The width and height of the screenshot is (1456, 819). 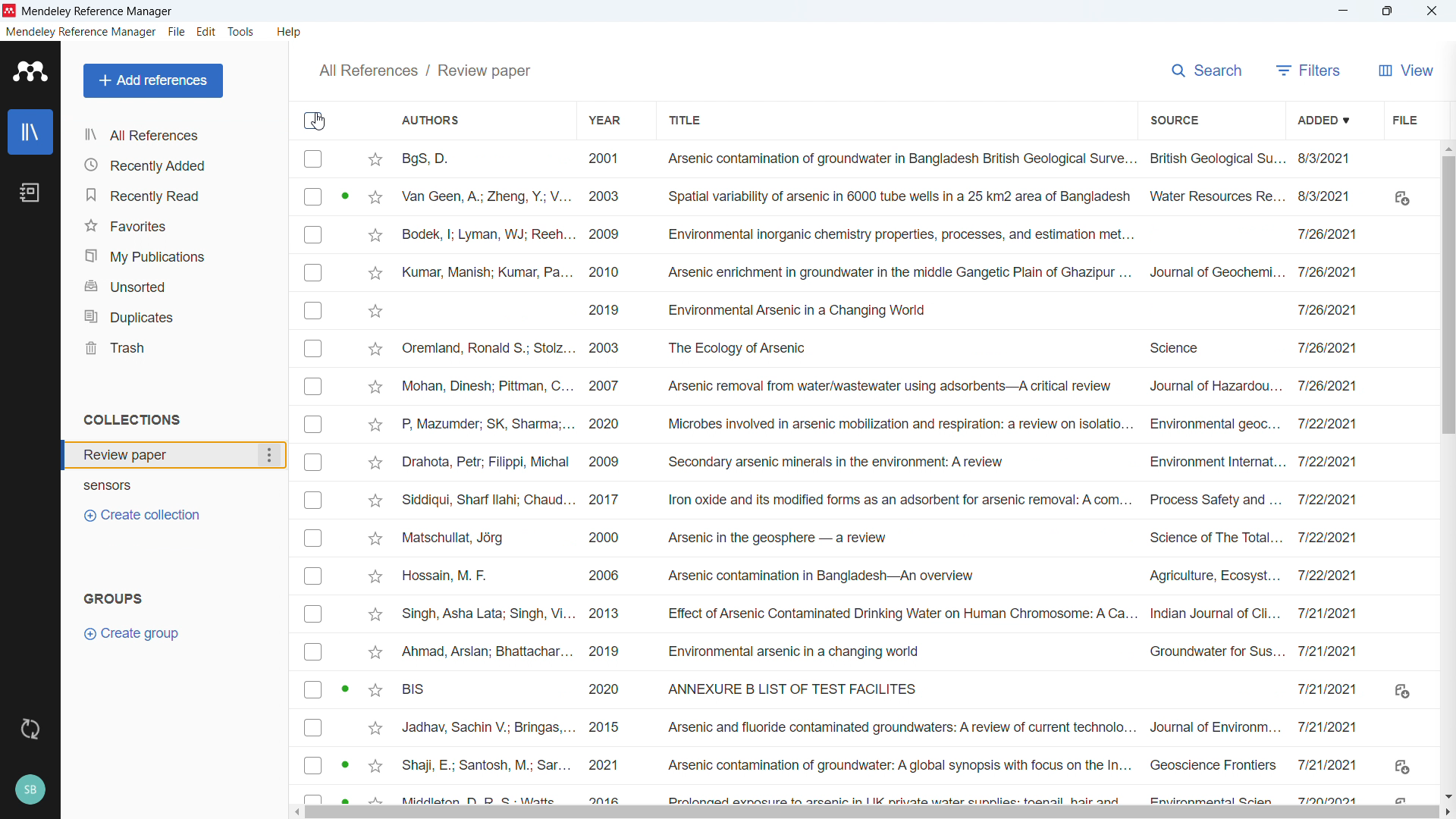 I want to click on Recently read , so click(x=172, y=193).